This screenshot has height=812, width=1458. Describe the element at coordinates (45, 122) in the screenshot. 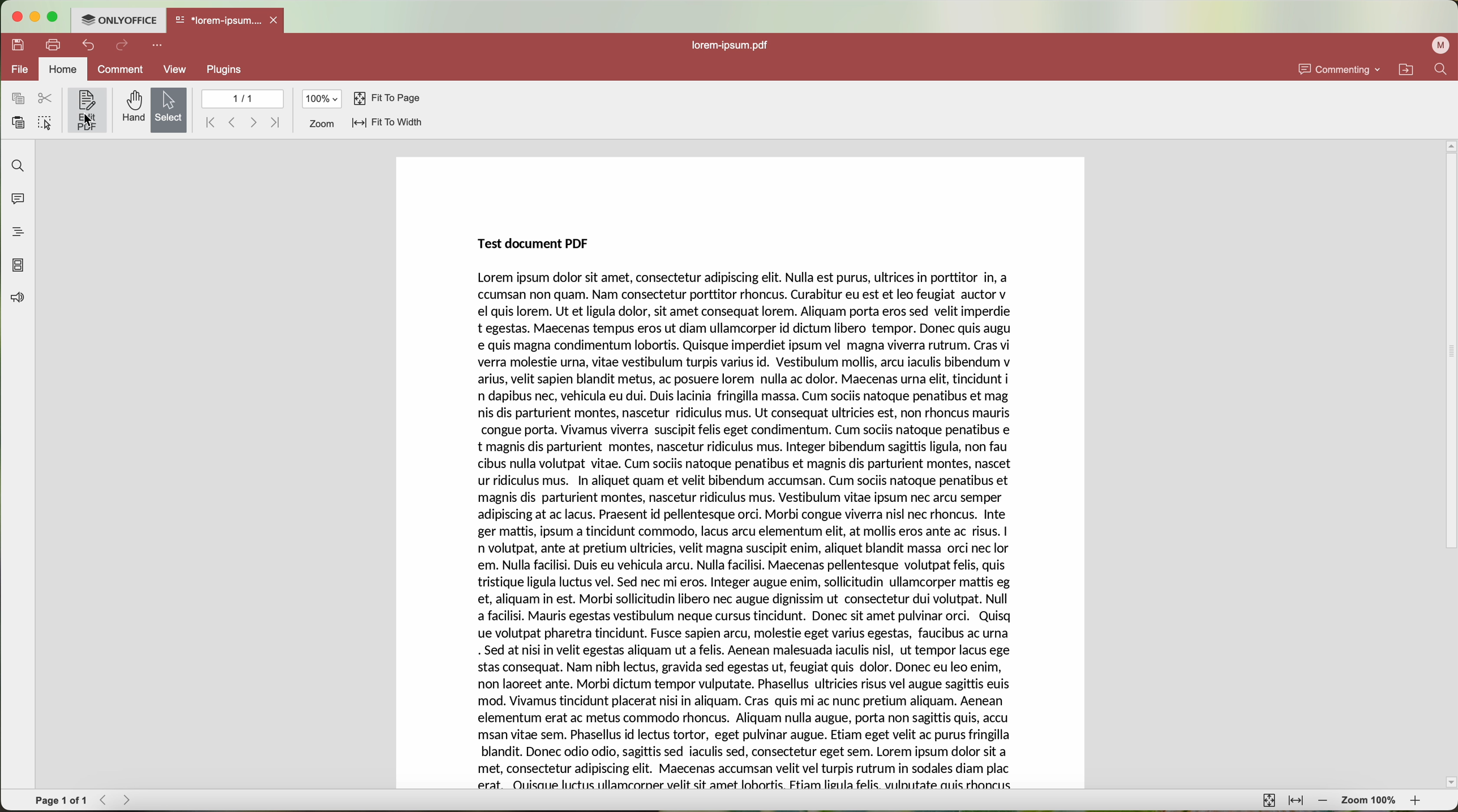

I see `select all` at that location.